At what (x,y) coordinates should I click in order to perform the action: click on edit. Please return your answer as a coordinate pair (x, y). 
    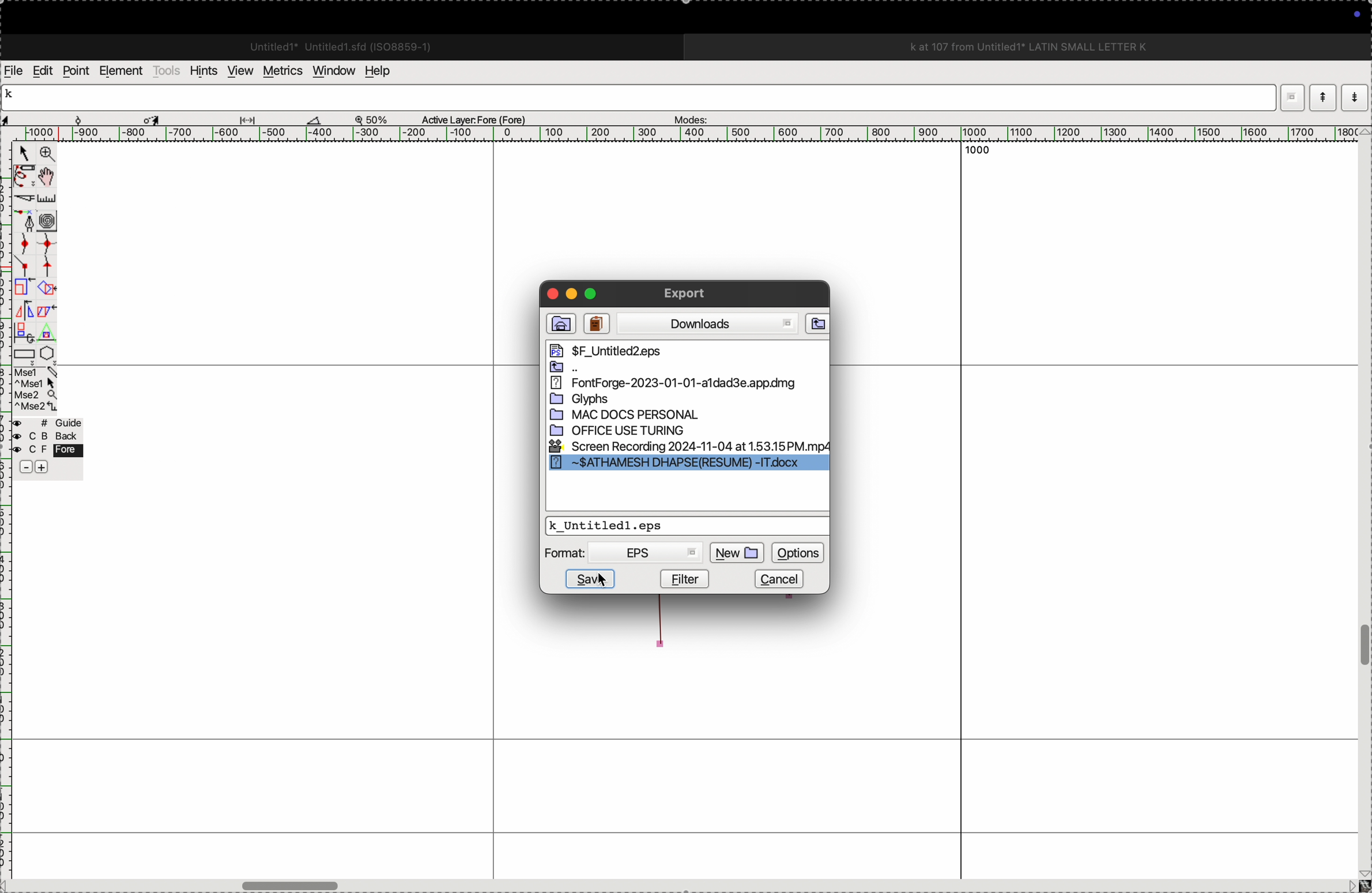
    Looking at the image, I should click on (42, 70).